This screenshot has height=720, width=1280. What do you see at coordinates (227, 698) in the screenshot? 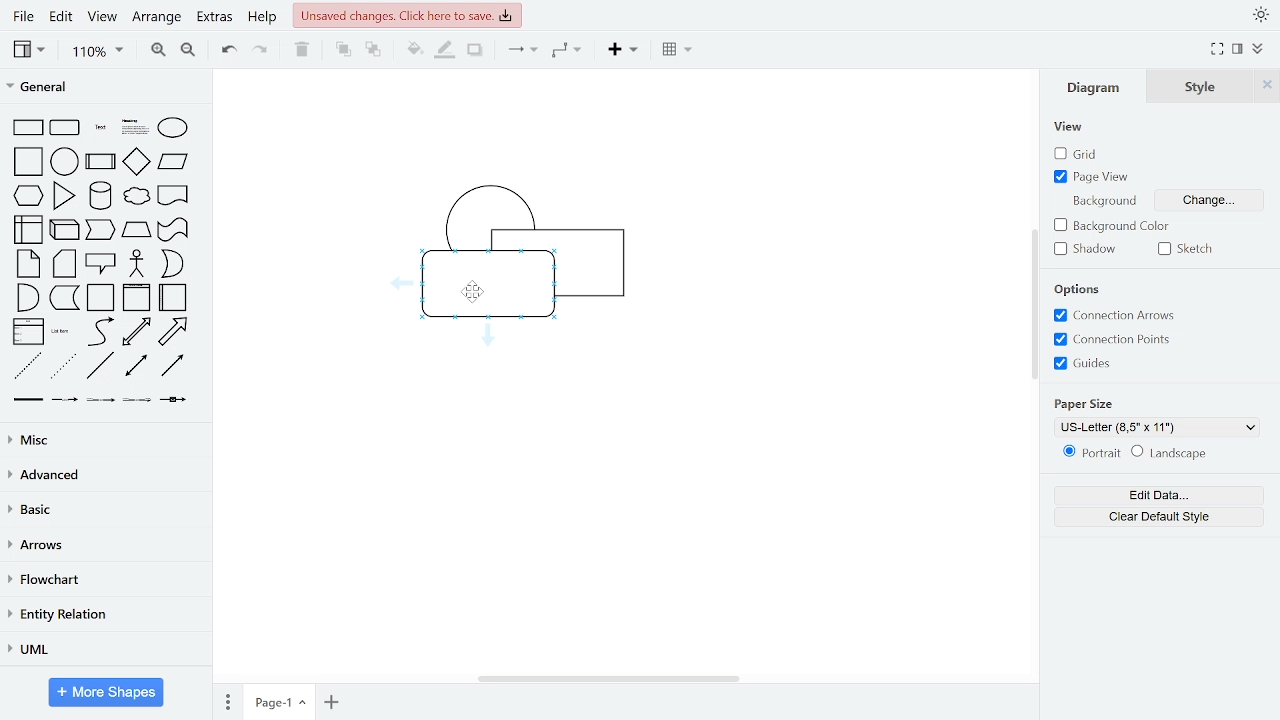
I see `pages` at bounding box center [227, 698].